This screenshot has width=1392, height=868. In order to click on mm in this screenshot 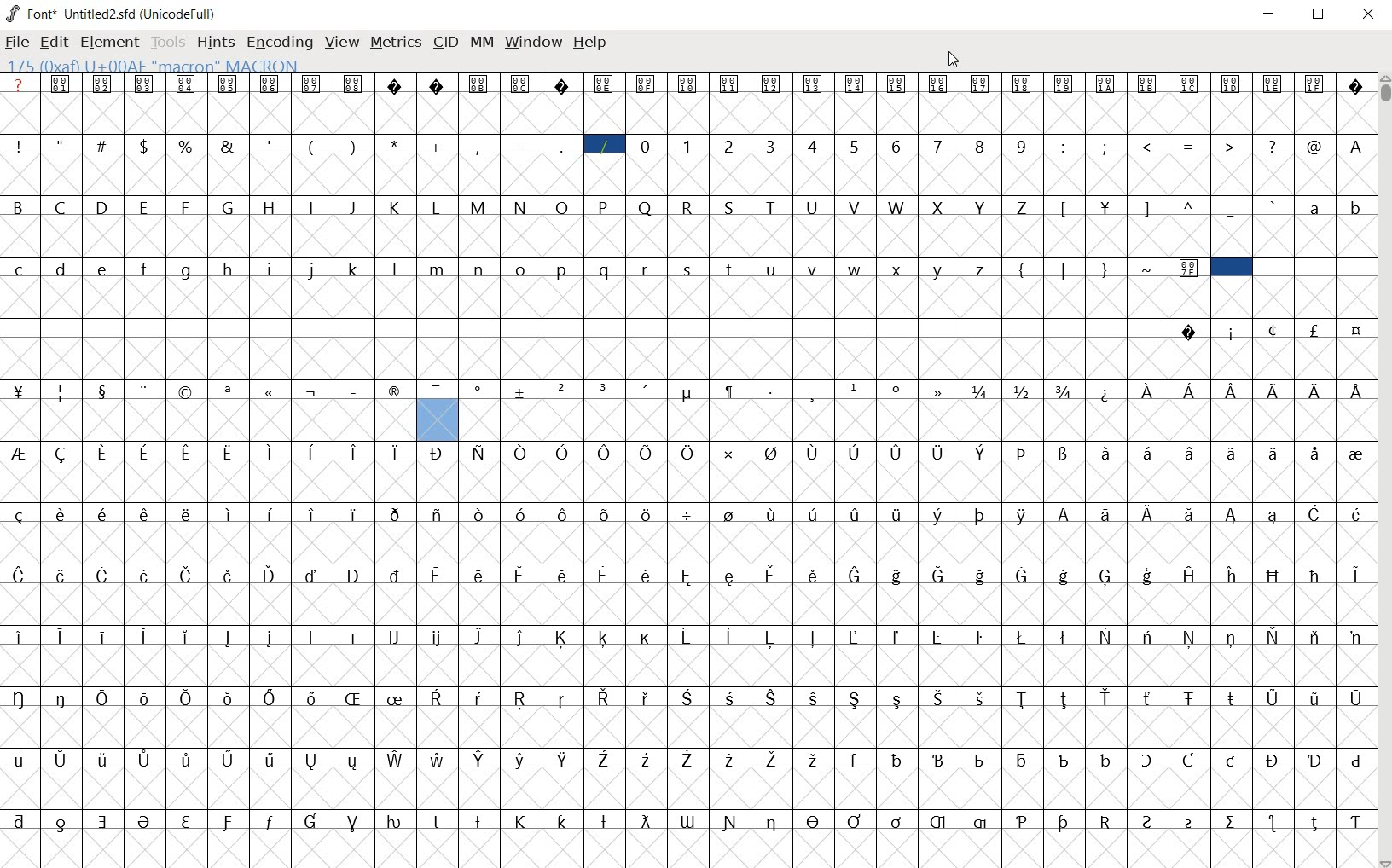, I will do `click(482, 43)`.